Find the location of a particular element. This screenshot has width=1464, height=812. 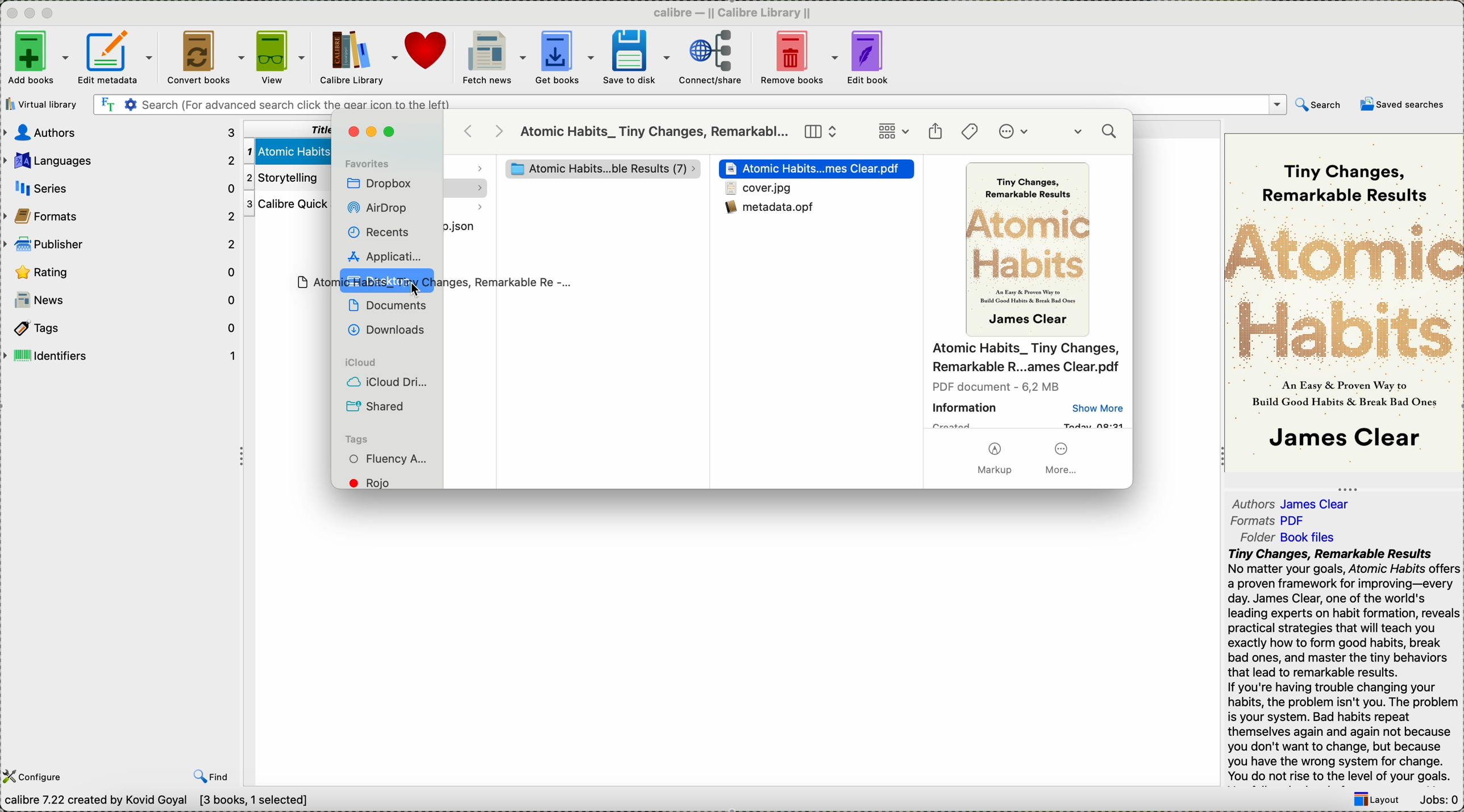

search bar is located at coordinates (688, 105).